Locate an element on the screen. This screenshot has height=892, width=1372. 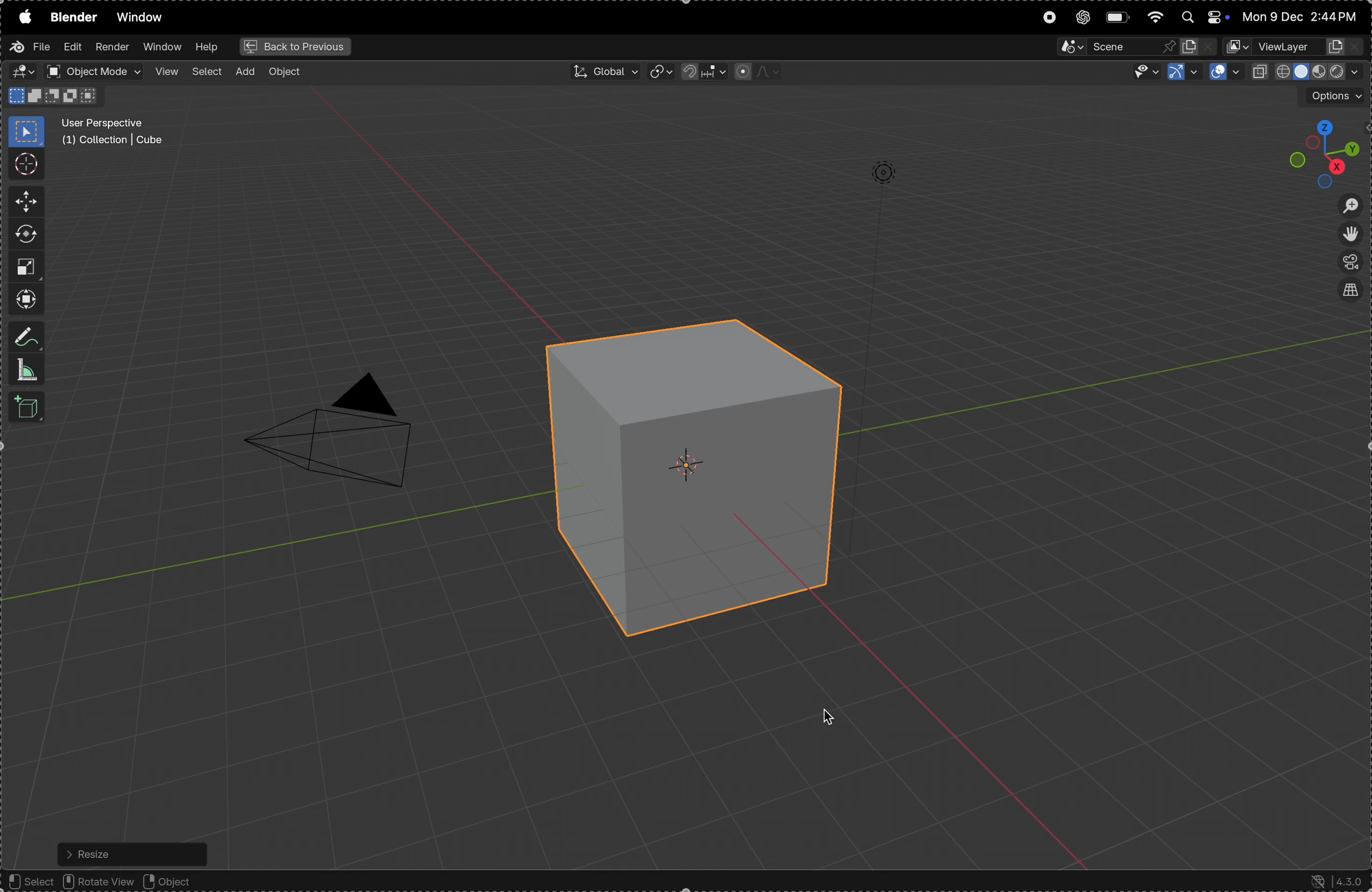
select is located at coordinates (209, 72).